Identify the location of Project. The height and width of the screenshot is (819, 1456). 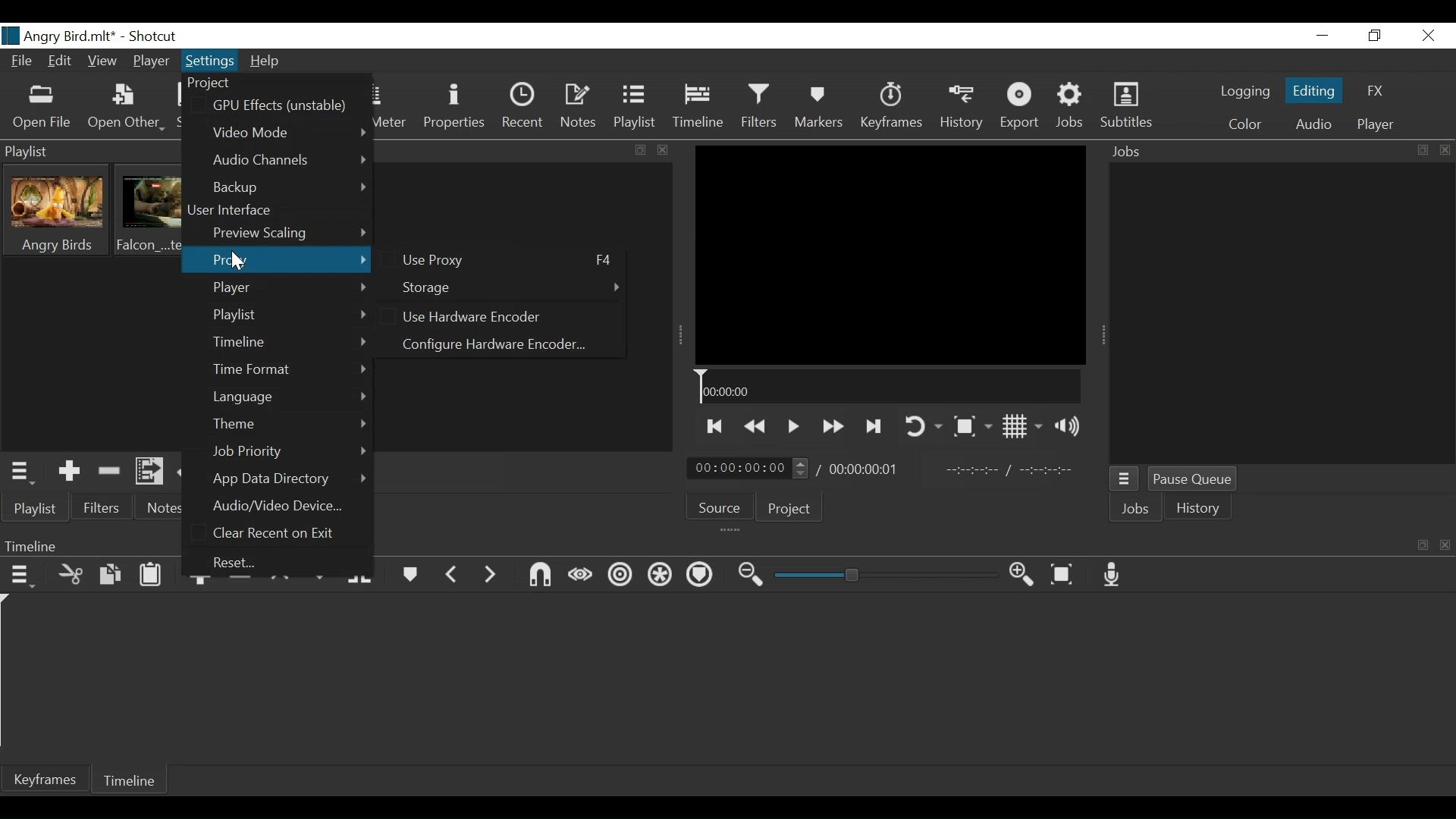
(795, 509).